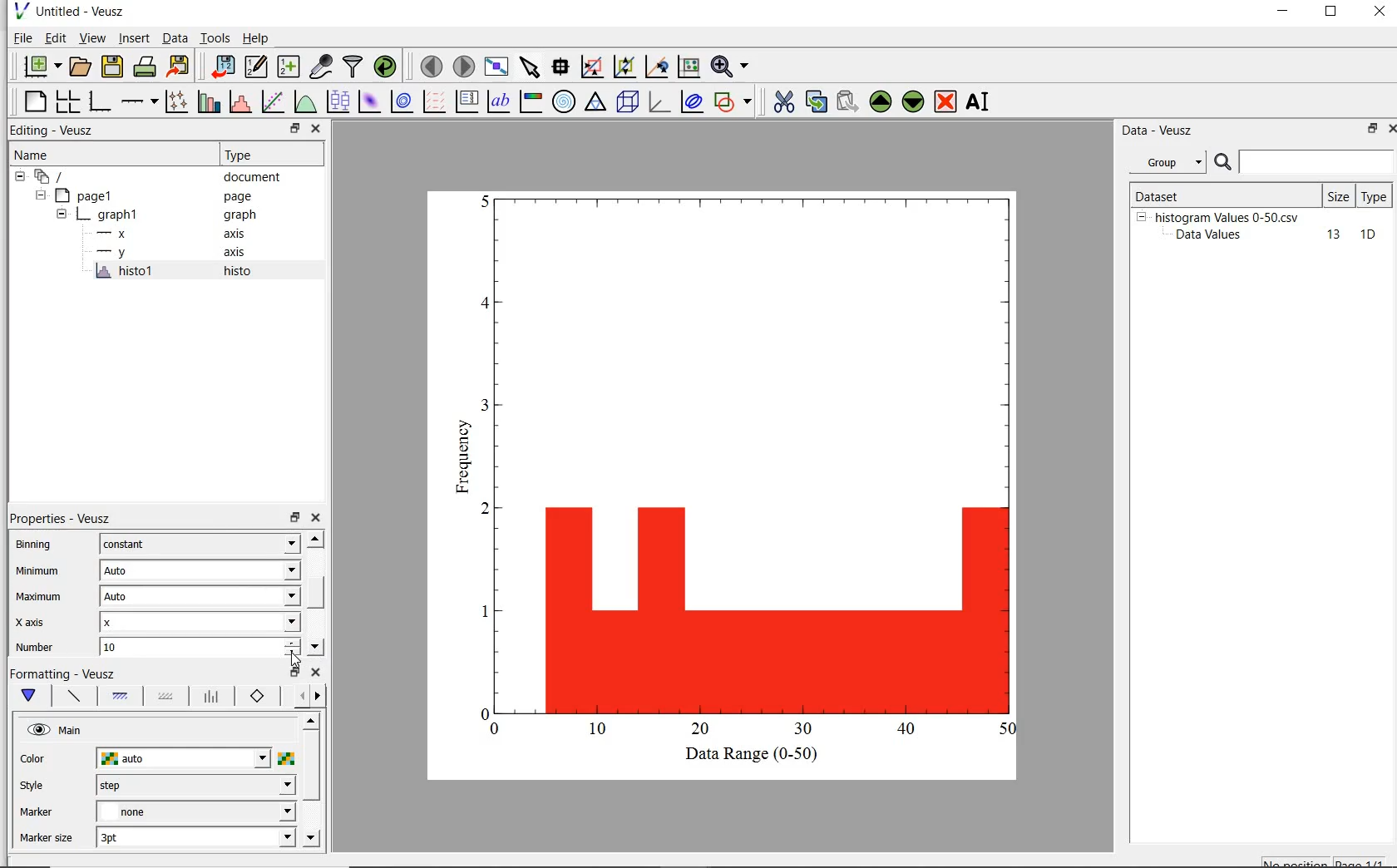  What do you see at coordinates (1227, 216) in the screenshot?
I see `histogram Values 0-50.csv` at bounding box center [1227, 216].